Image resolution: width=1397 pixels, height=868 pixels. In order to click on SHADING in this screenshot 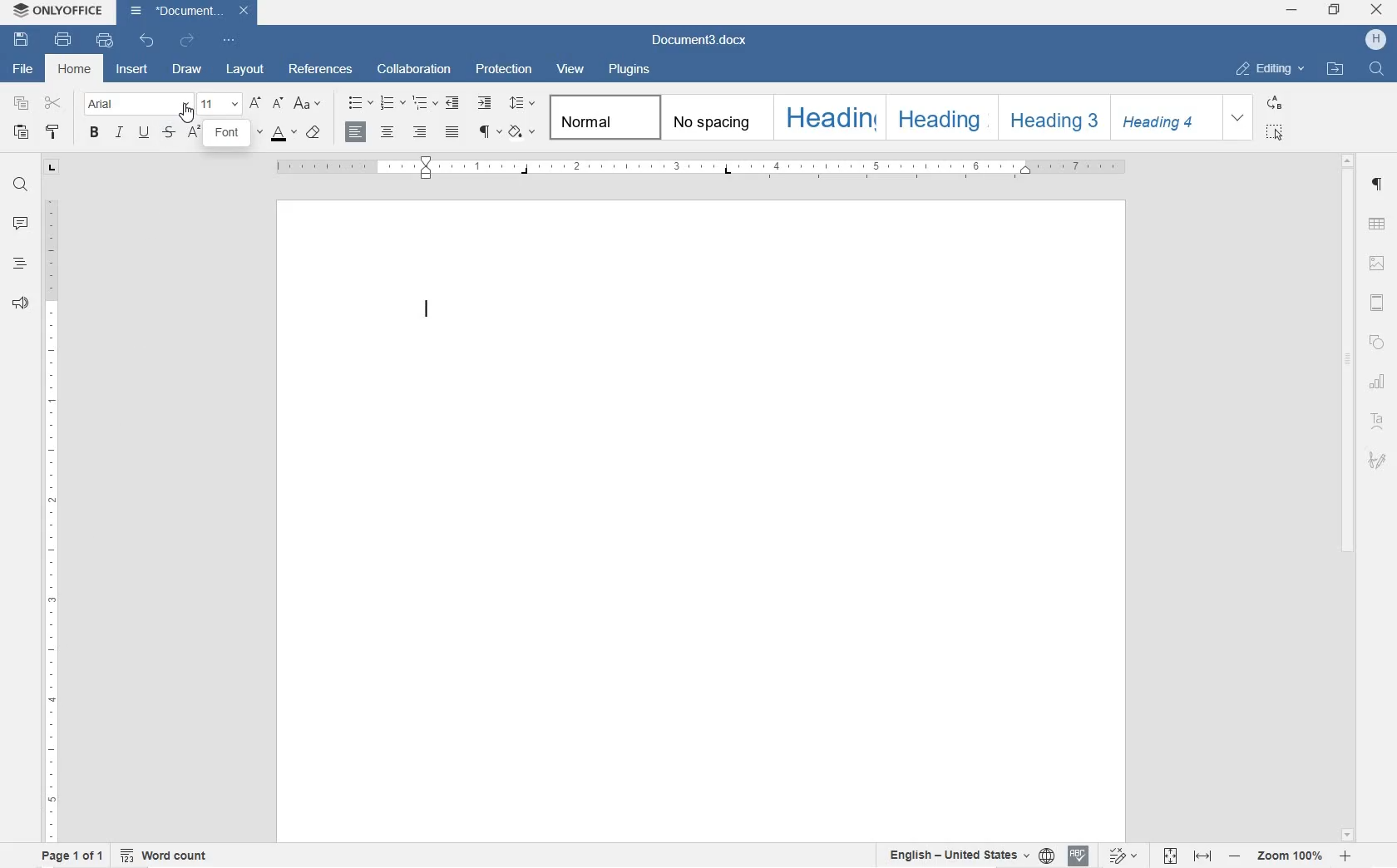, I will do `click(523, 131)`.